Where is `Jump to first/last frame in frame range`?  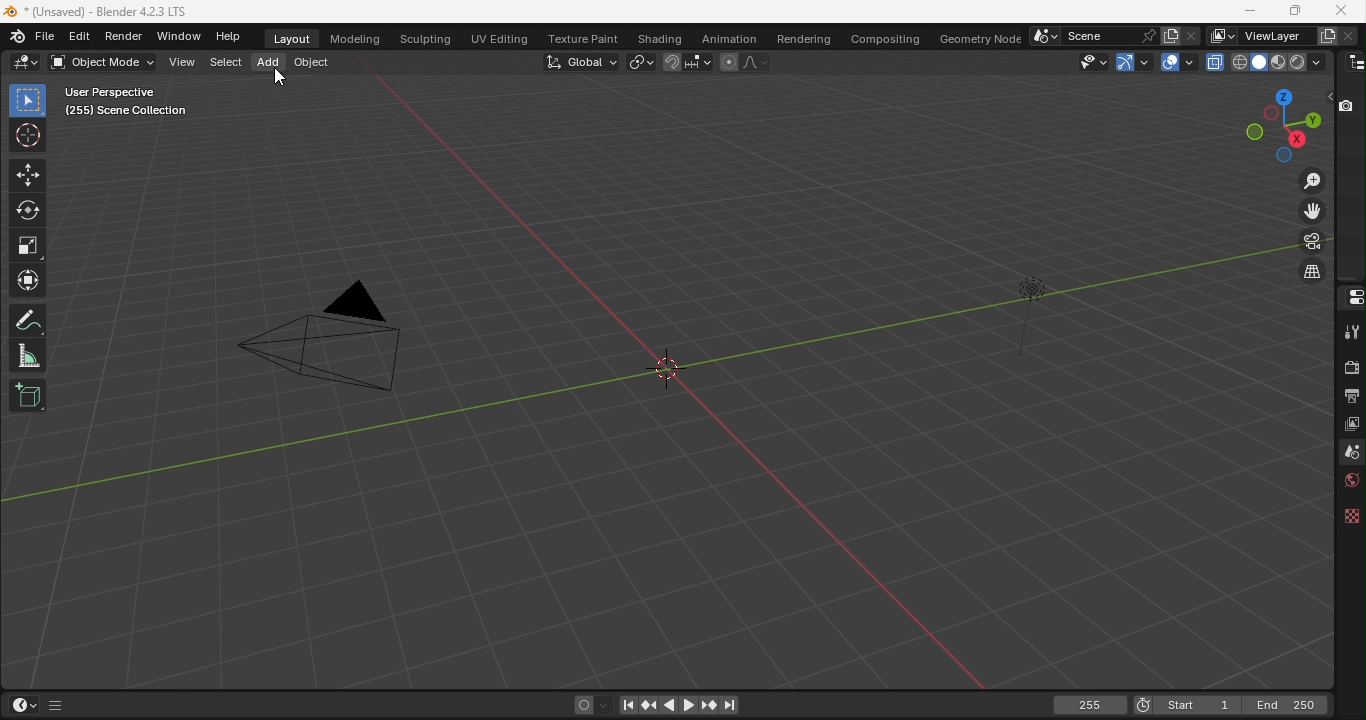
Jump to first/last frame in frame range is located at coordinates (1653, 1845).